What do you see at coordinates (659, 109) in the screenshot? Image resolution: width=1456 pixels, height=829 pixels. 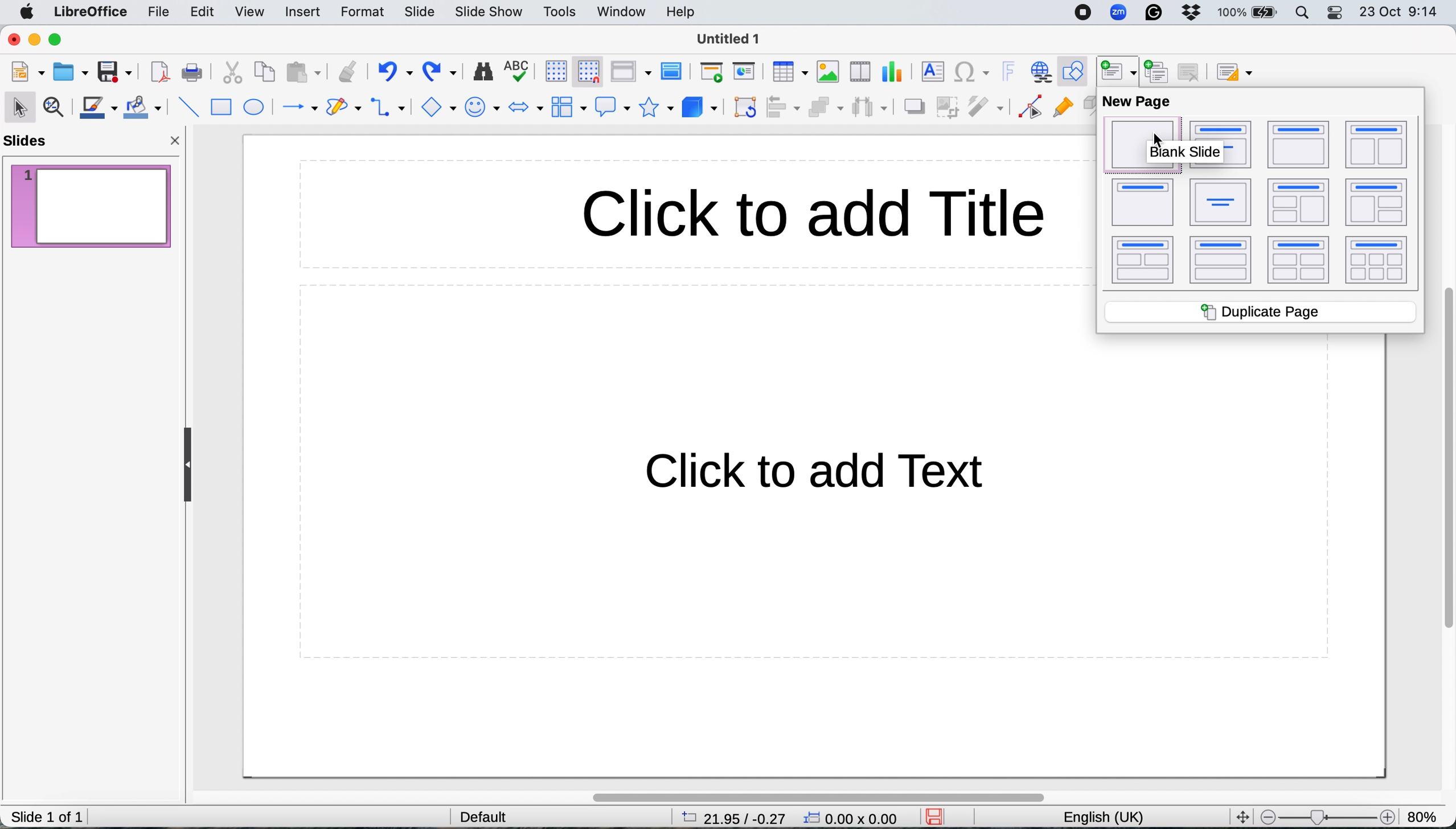 I see `stars and banners` at bounding box center [659, 109].